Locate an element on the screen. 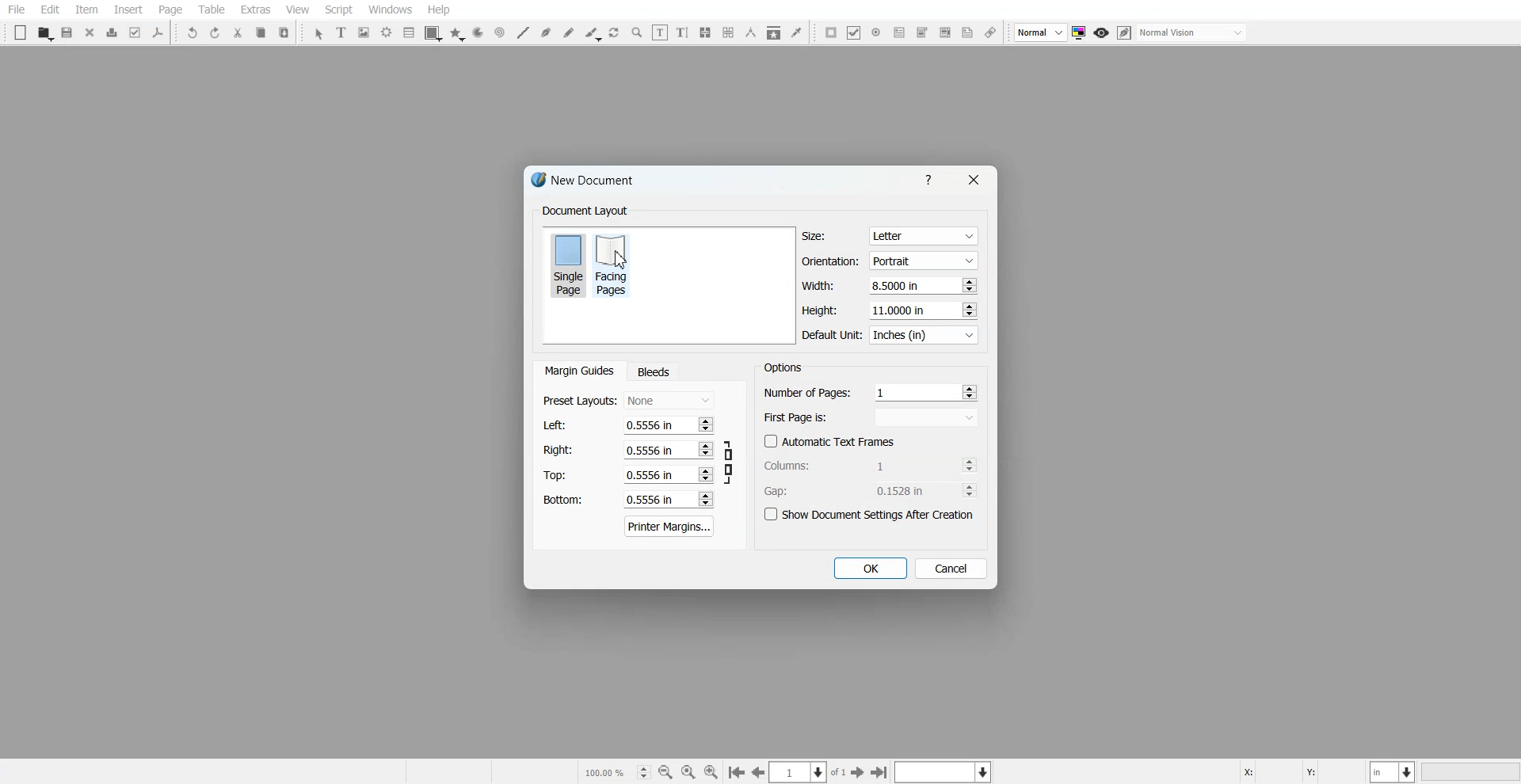 This screenshot has width=1521, height=784. Zoom to 100% is located at coordinates (688, 771).